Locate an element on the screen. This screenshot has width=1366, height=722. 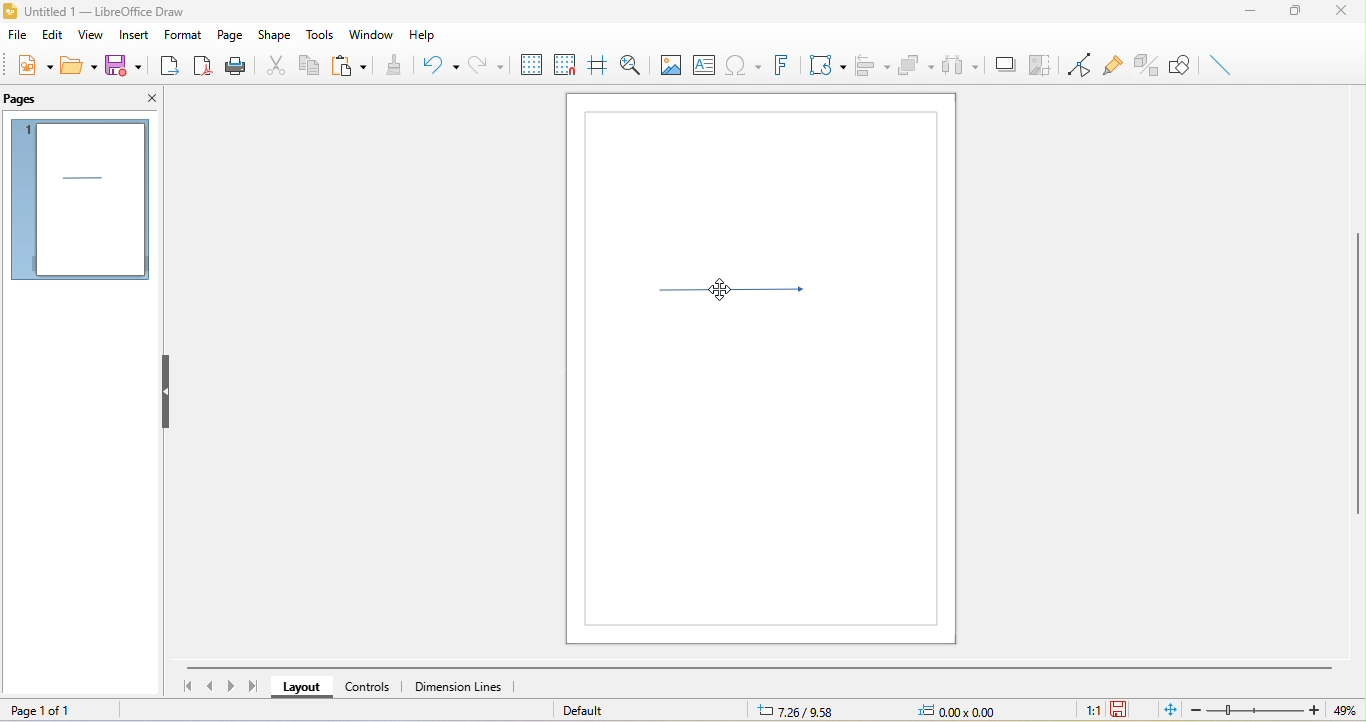
fit to the current window is located at coordinates (1165, 711).